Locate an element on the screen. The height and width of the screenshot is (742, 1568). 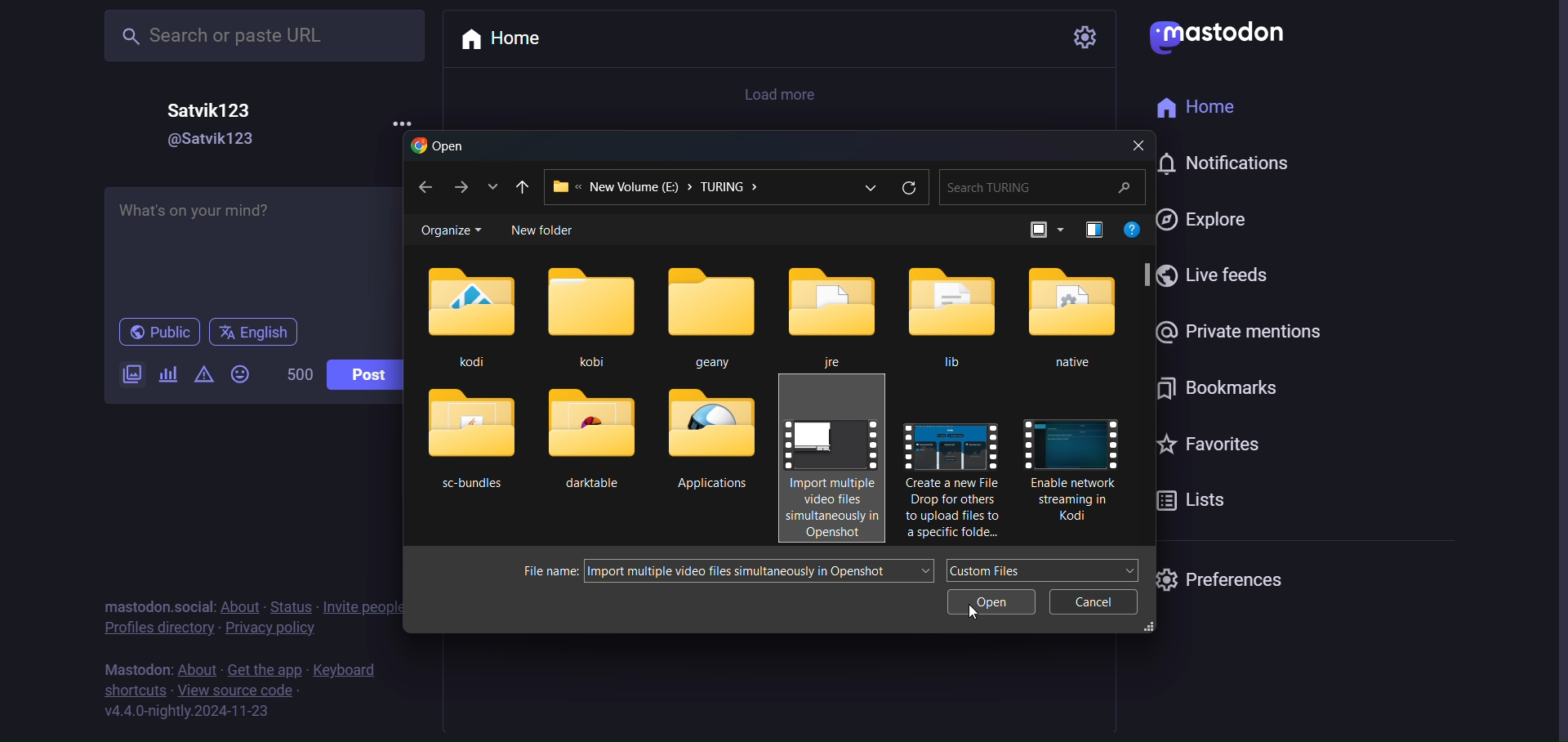
home is located at coordinates (508, 41).